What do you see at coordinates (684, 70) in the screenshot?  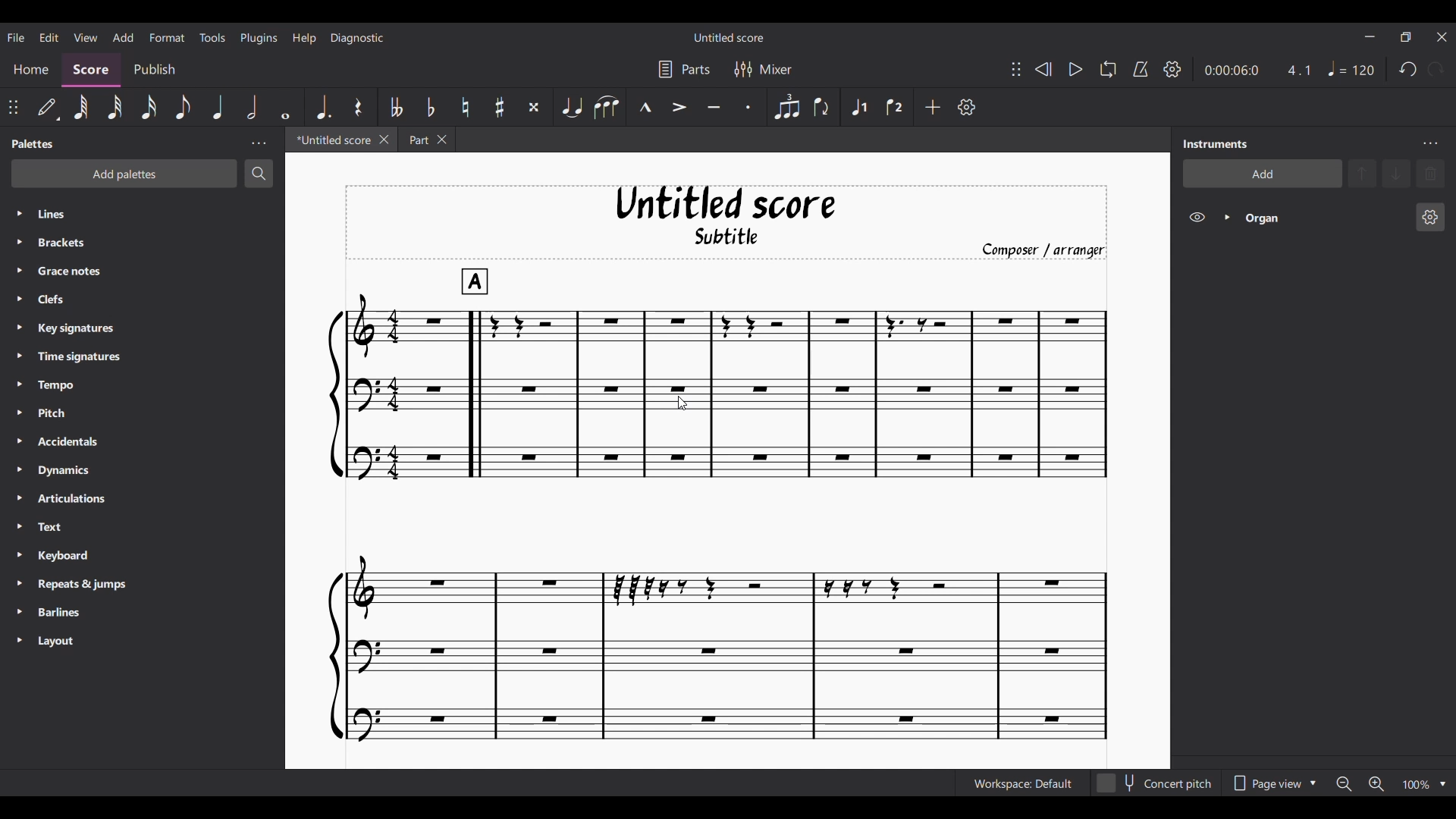 I see `Parts` at bounding box center [684, 70].